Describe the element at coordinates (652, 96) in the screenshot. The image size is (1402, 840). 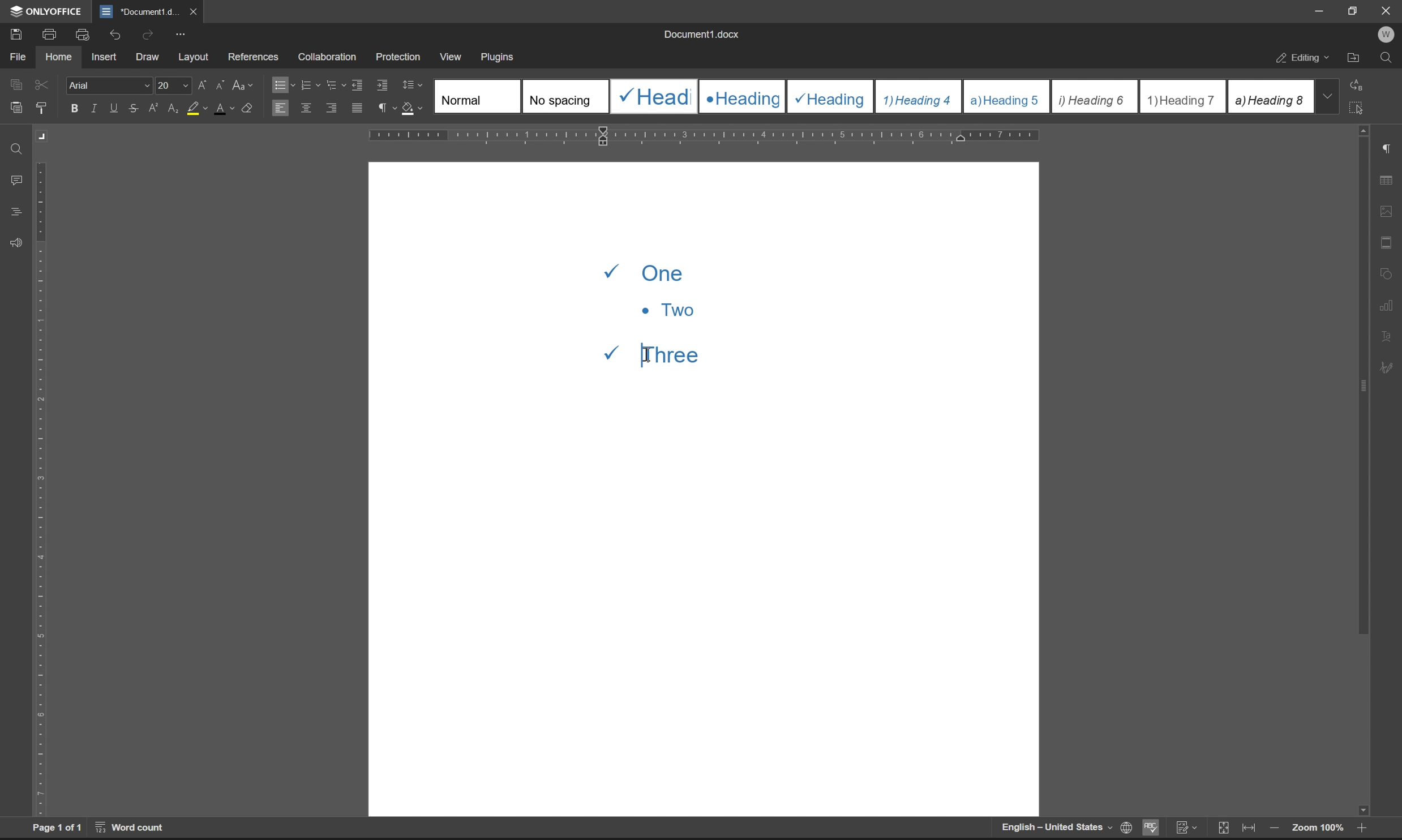
I see `Heading 1` at that location.